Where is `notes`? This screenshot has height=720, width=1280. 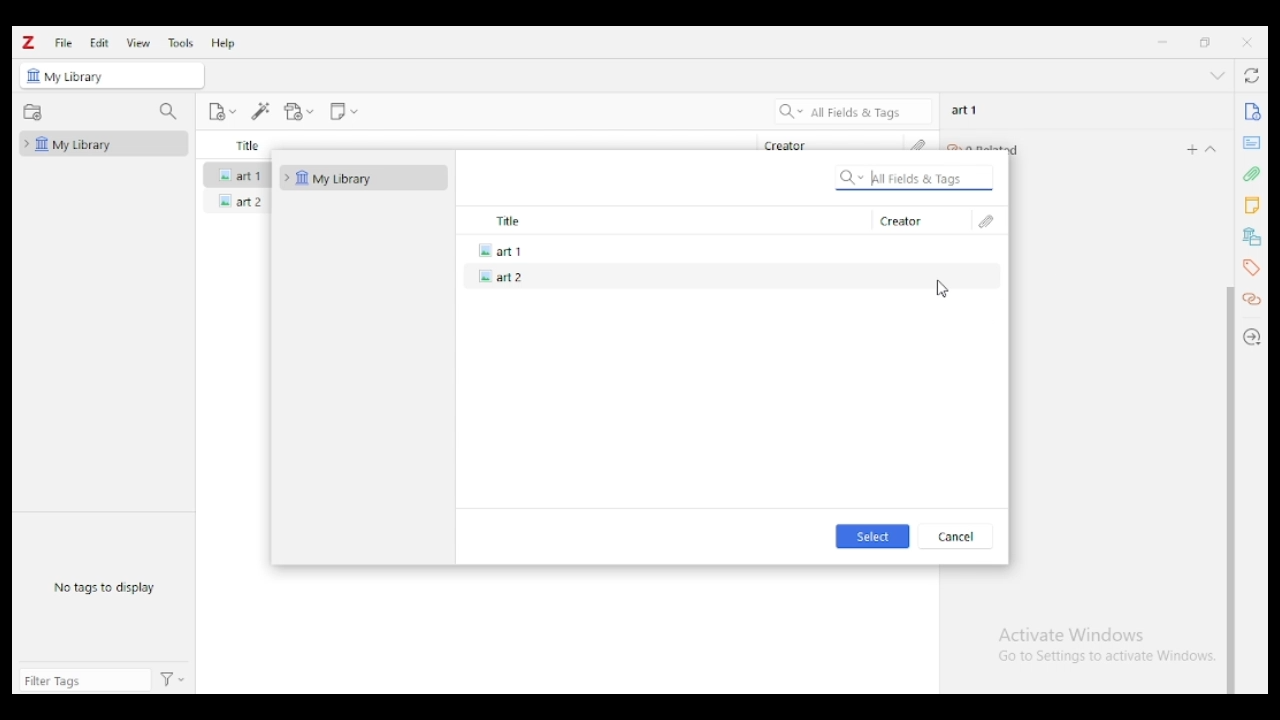
notes is located at coordinates (1251, 206).